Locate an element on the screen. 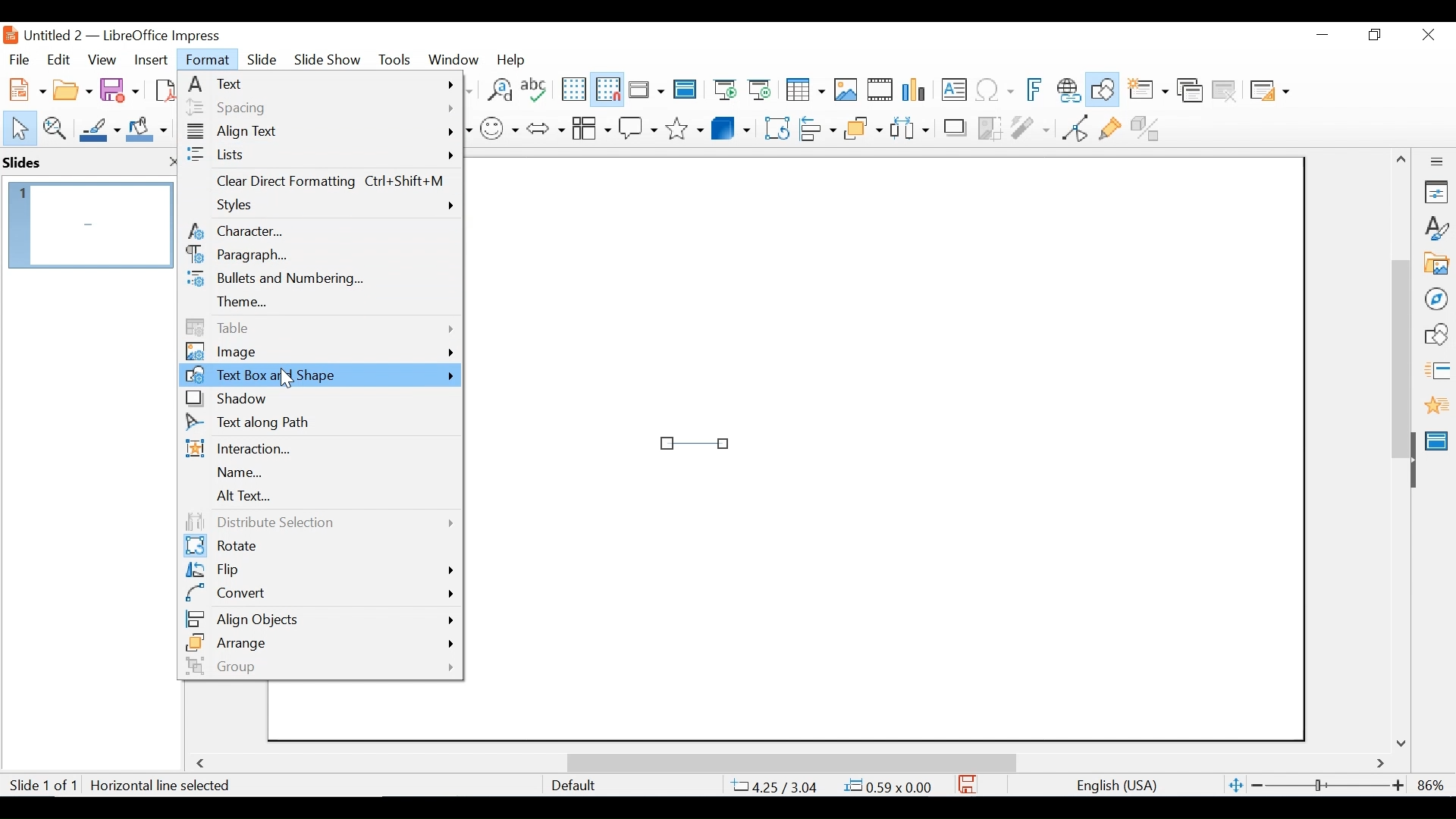 The height and width of the screenshot is (819, 1456). Hide is located at coordinates (1412, 457).